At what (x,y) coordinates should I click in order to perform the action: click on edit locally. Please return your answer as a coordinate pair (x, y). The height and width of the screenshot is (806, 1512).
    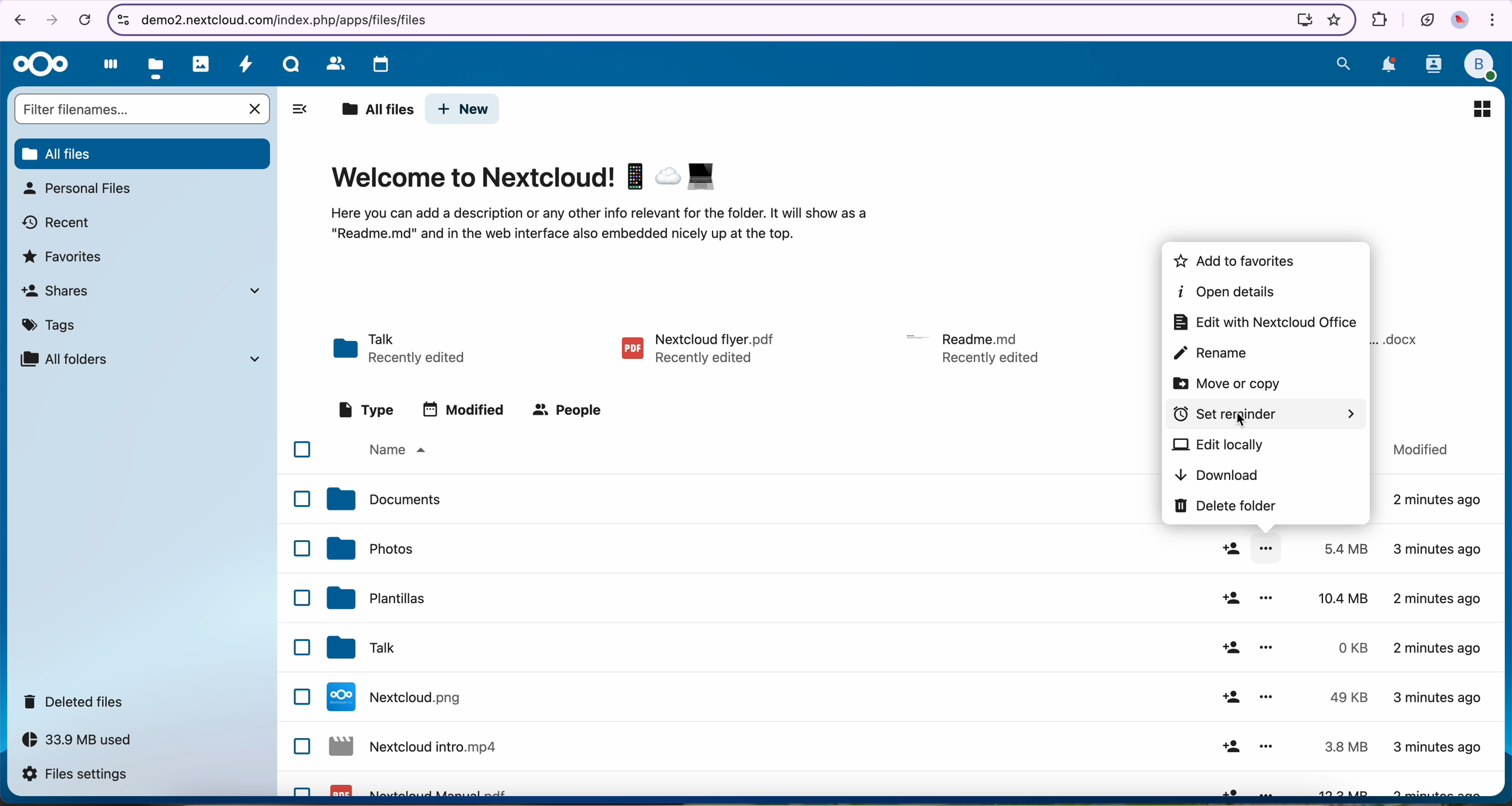
    Looking at the image, I should click on (1217, 446).